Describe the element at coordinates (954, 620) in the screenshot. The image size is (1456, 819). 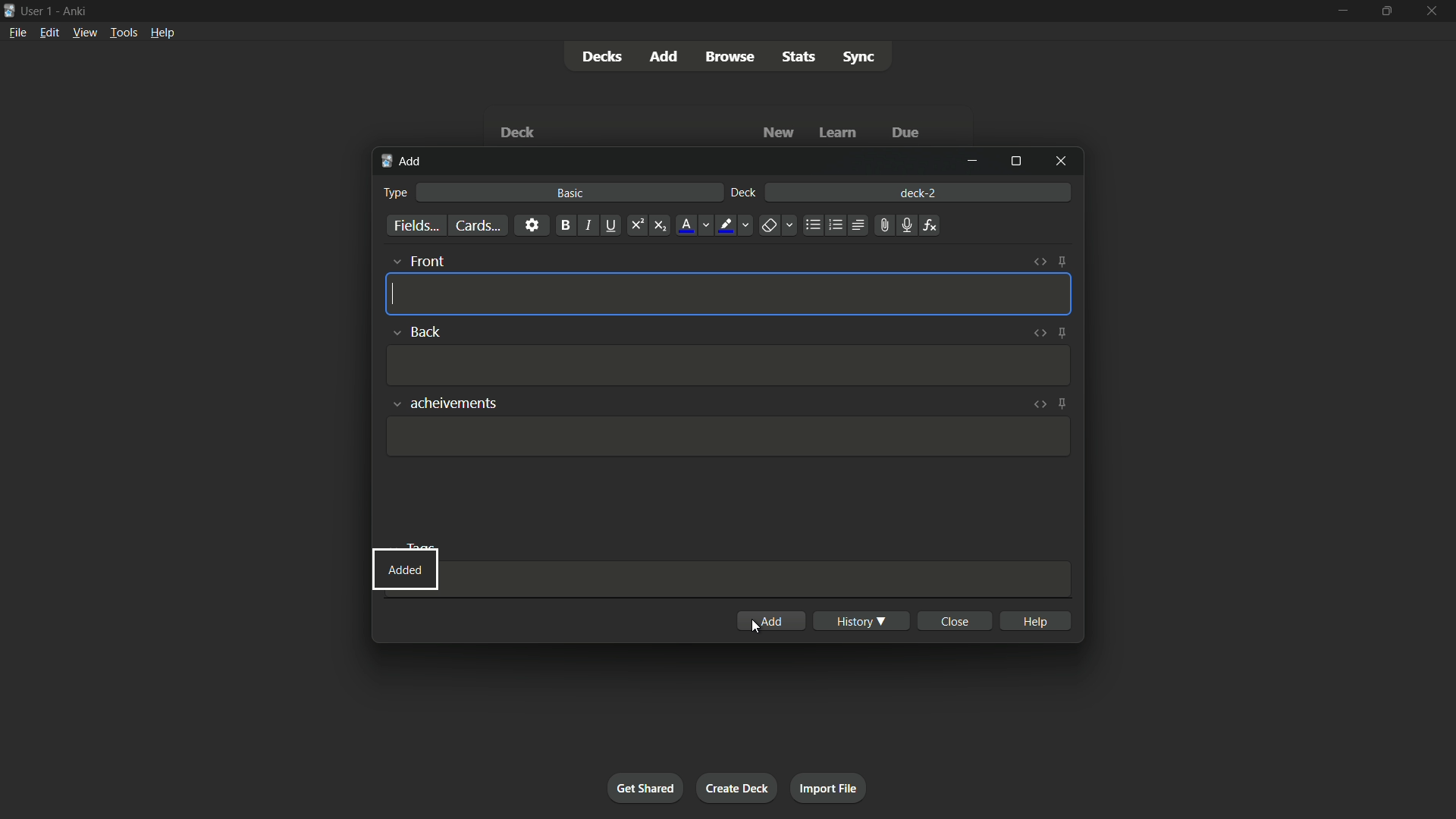
I see `close` at that location.